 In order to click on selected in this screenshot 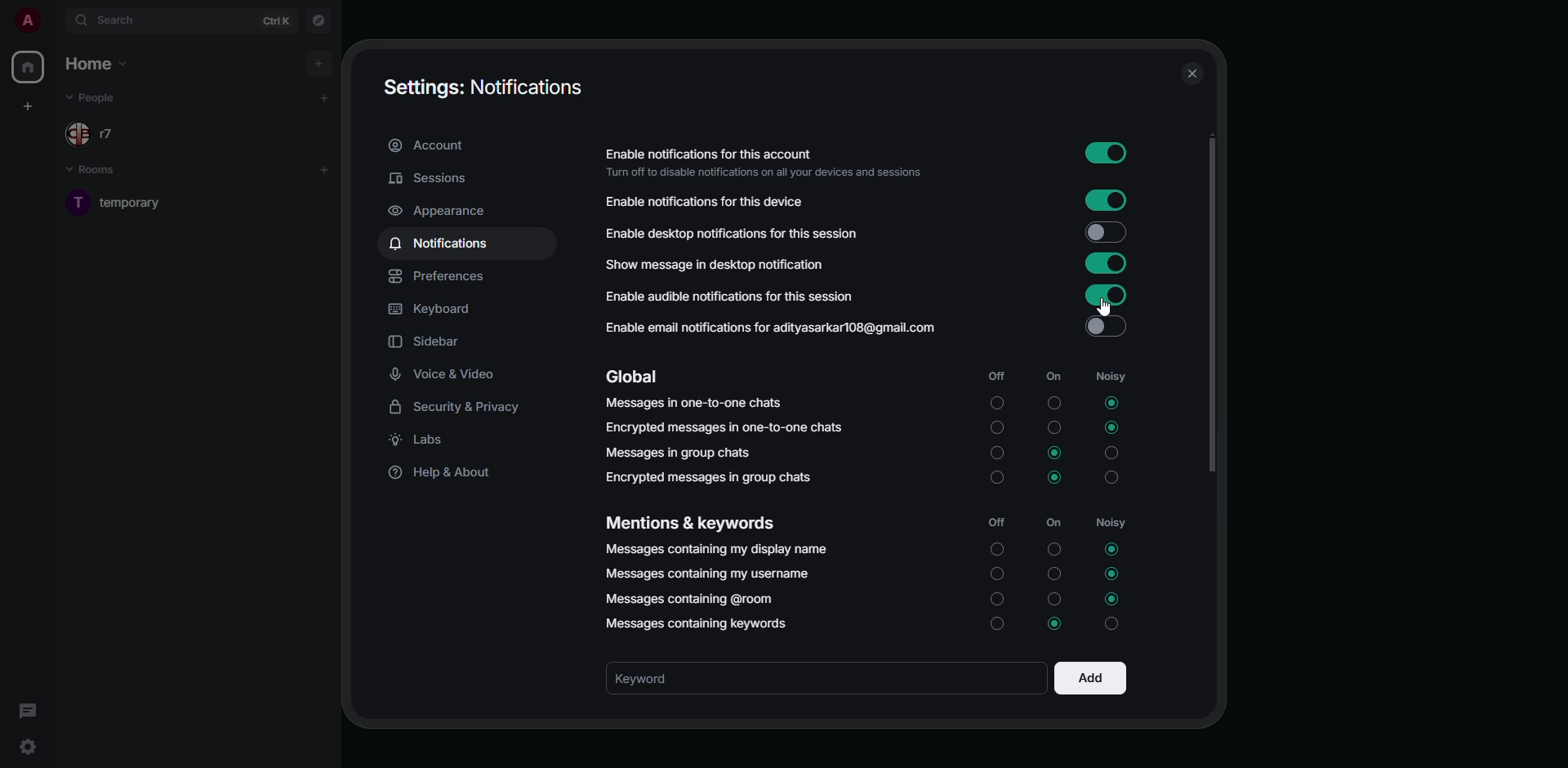, I will do `click(1113, 574)`.